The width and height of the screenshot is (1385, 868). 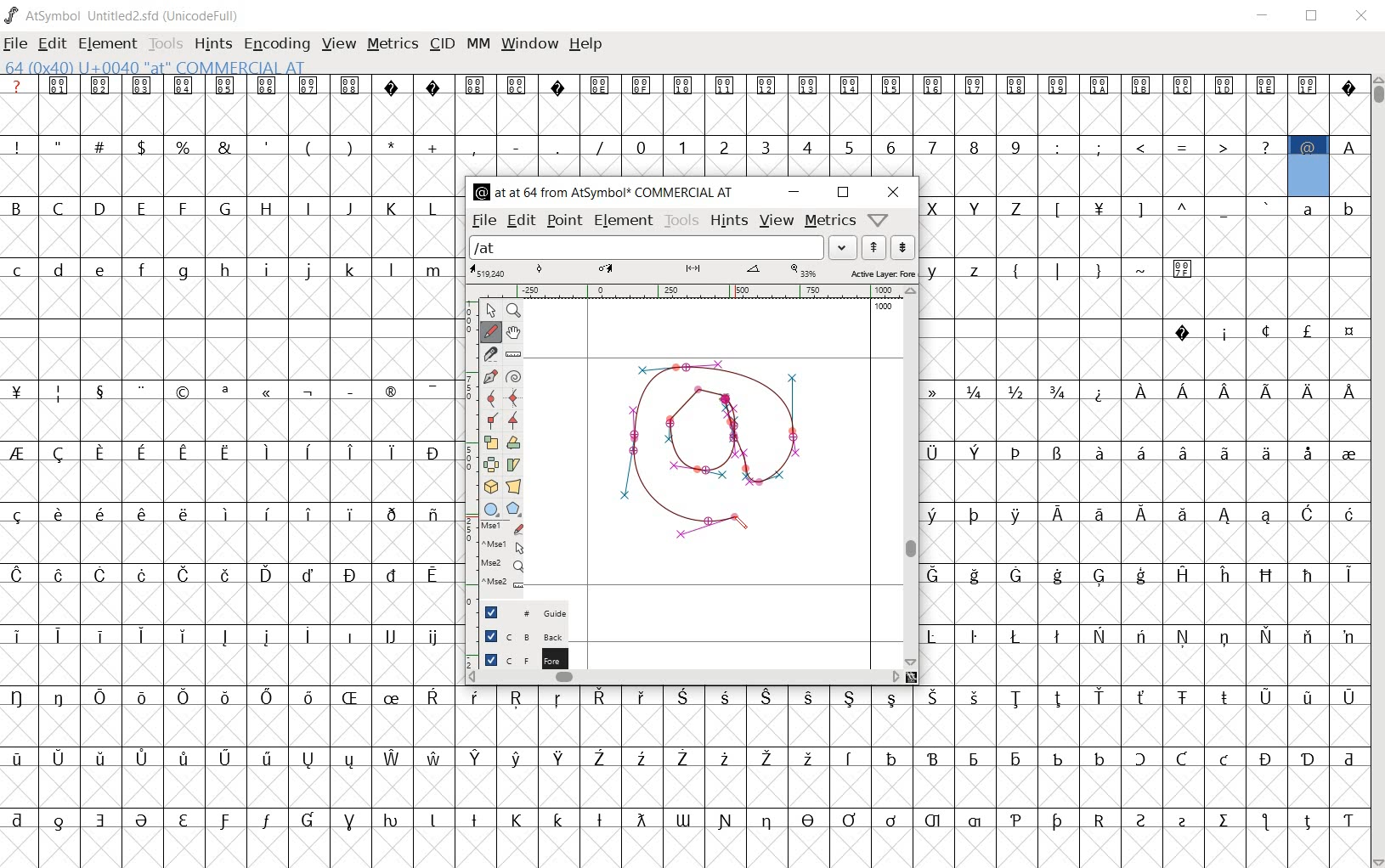 I want to click on view, so click(x=777, y=222).